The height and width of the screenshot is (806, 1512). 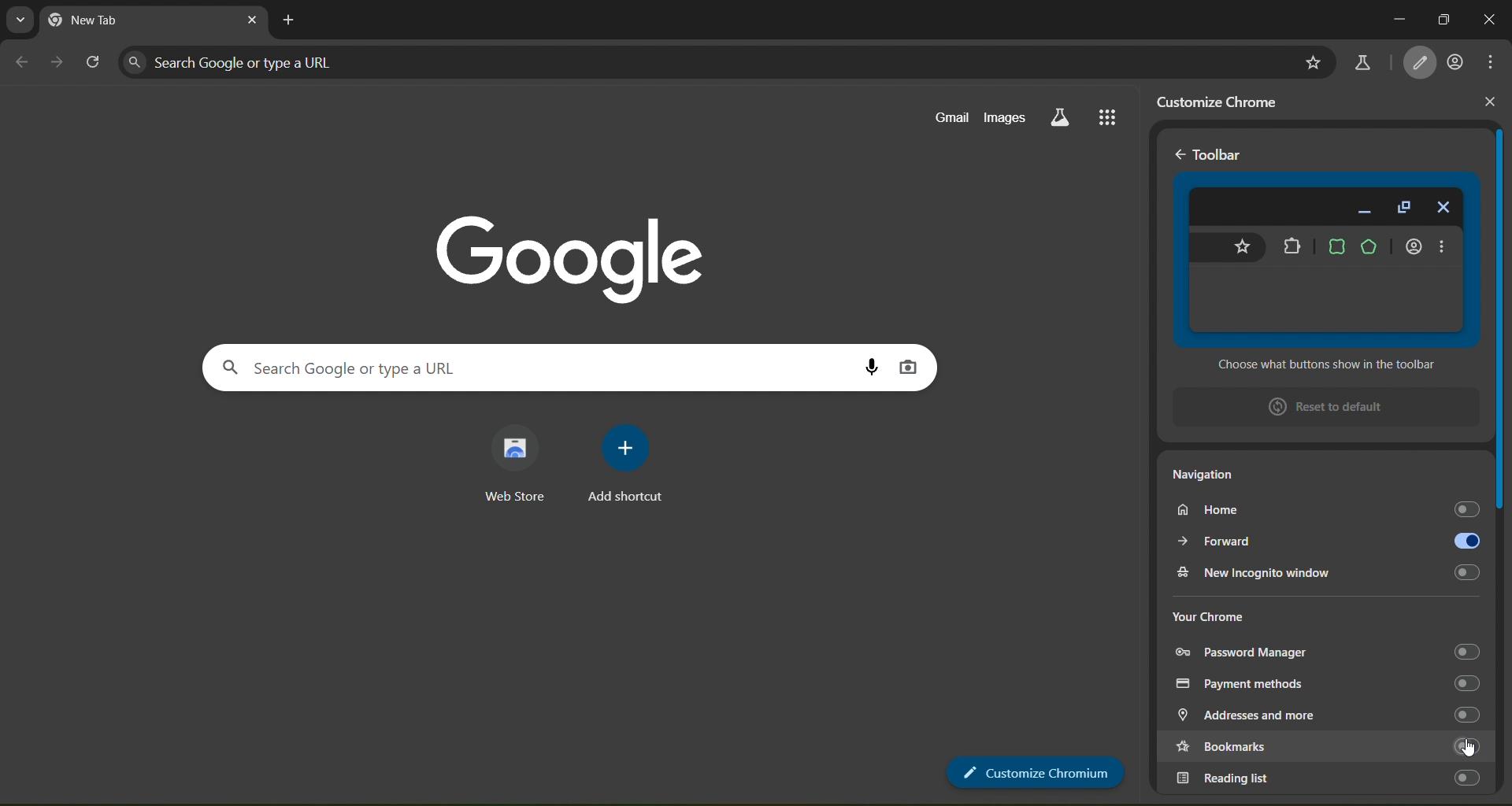 What do you see at coordinates (1228, 102) in the screenshot?
I see `customize chrome` at bounding box center [1228, 102].